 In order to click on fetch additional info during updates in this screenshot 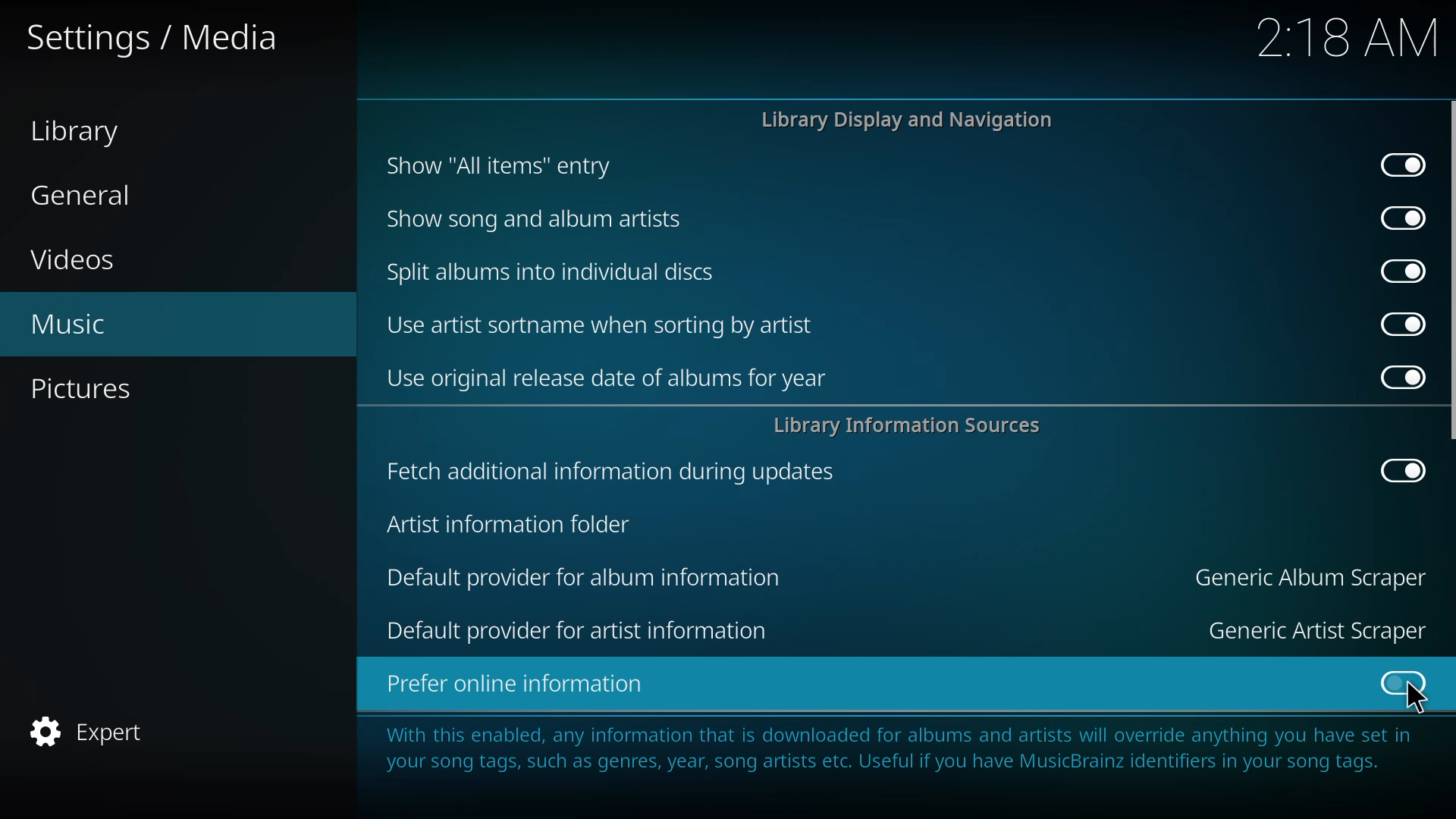, I will do `click(615, 470)`.